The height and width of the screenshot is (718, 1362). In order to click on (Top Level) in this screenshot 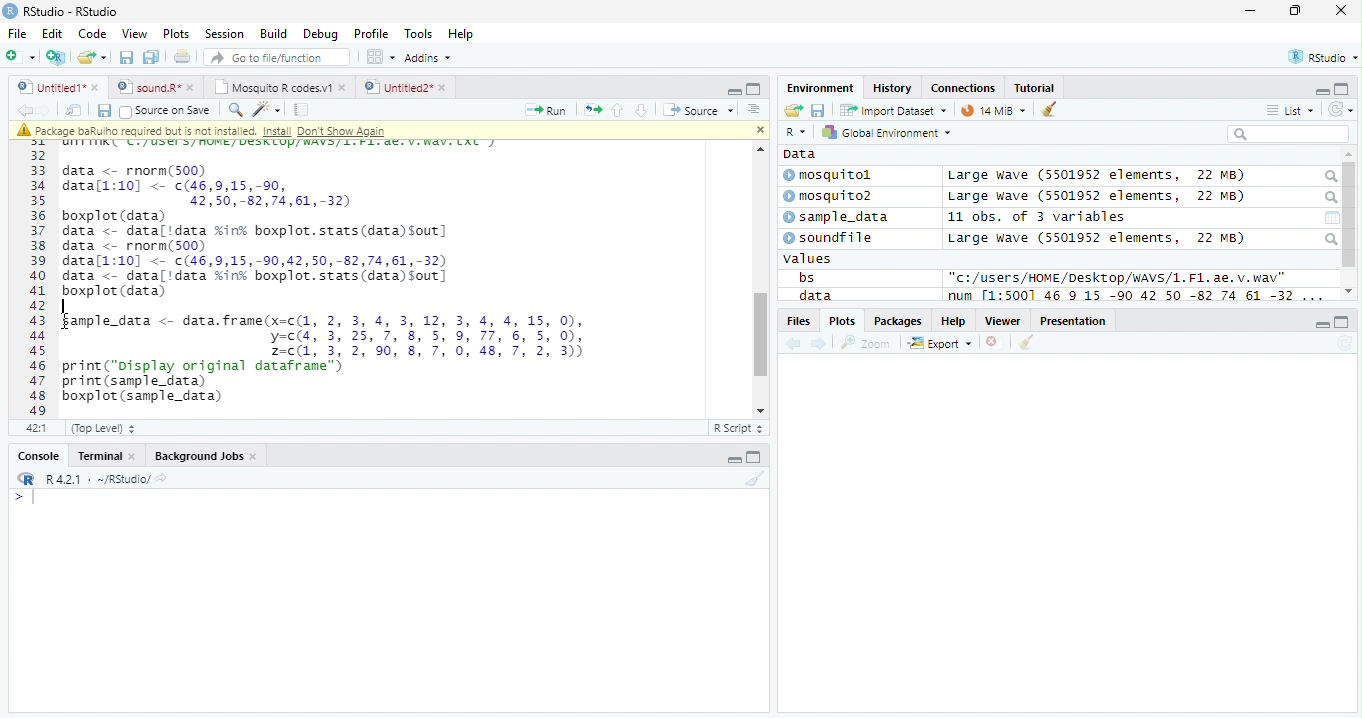, I will do `click(103, 429)`.